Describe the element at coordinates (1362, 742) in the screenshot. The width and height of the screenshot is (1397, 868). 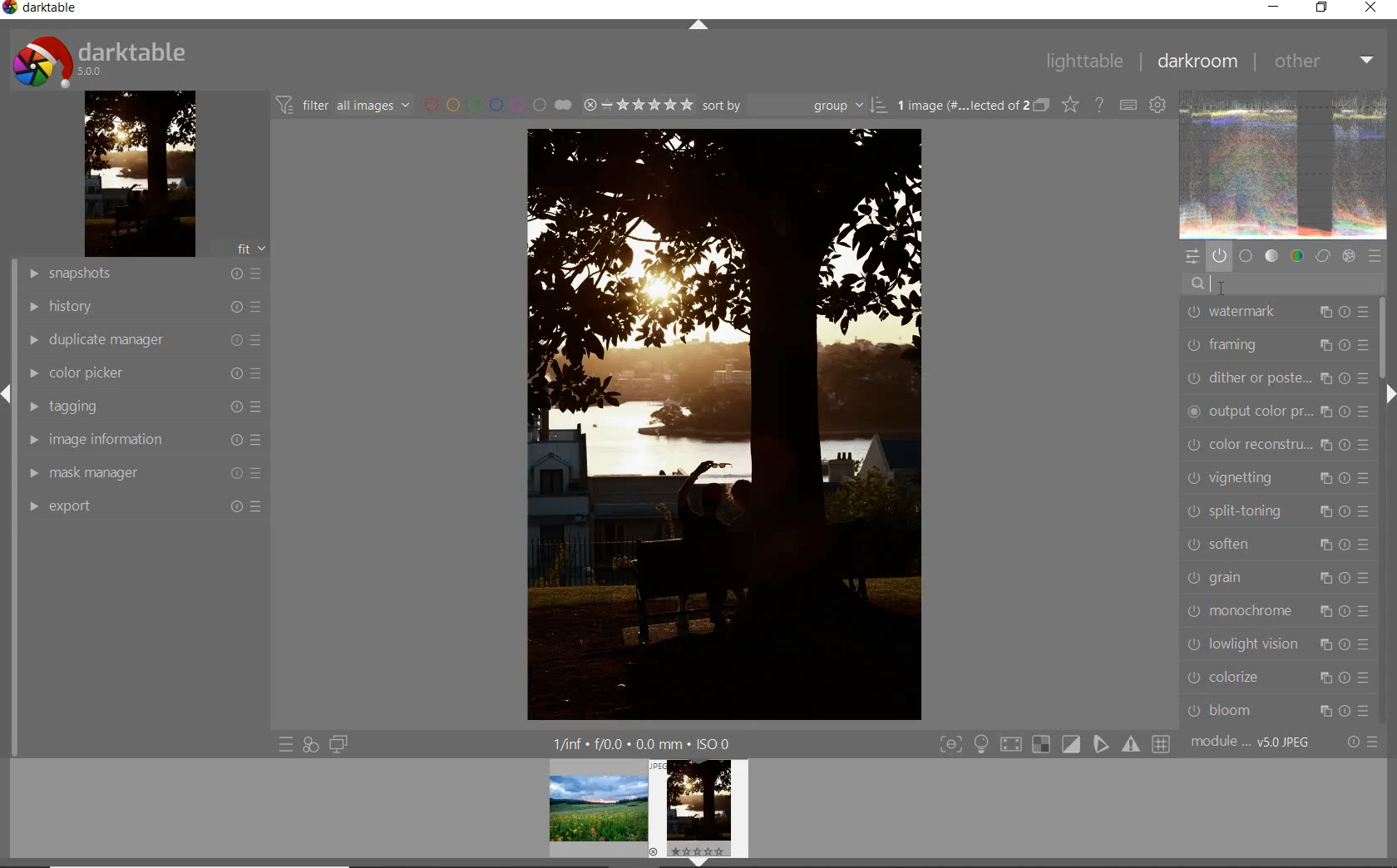
I see `reset or presets & preferences` at that location.